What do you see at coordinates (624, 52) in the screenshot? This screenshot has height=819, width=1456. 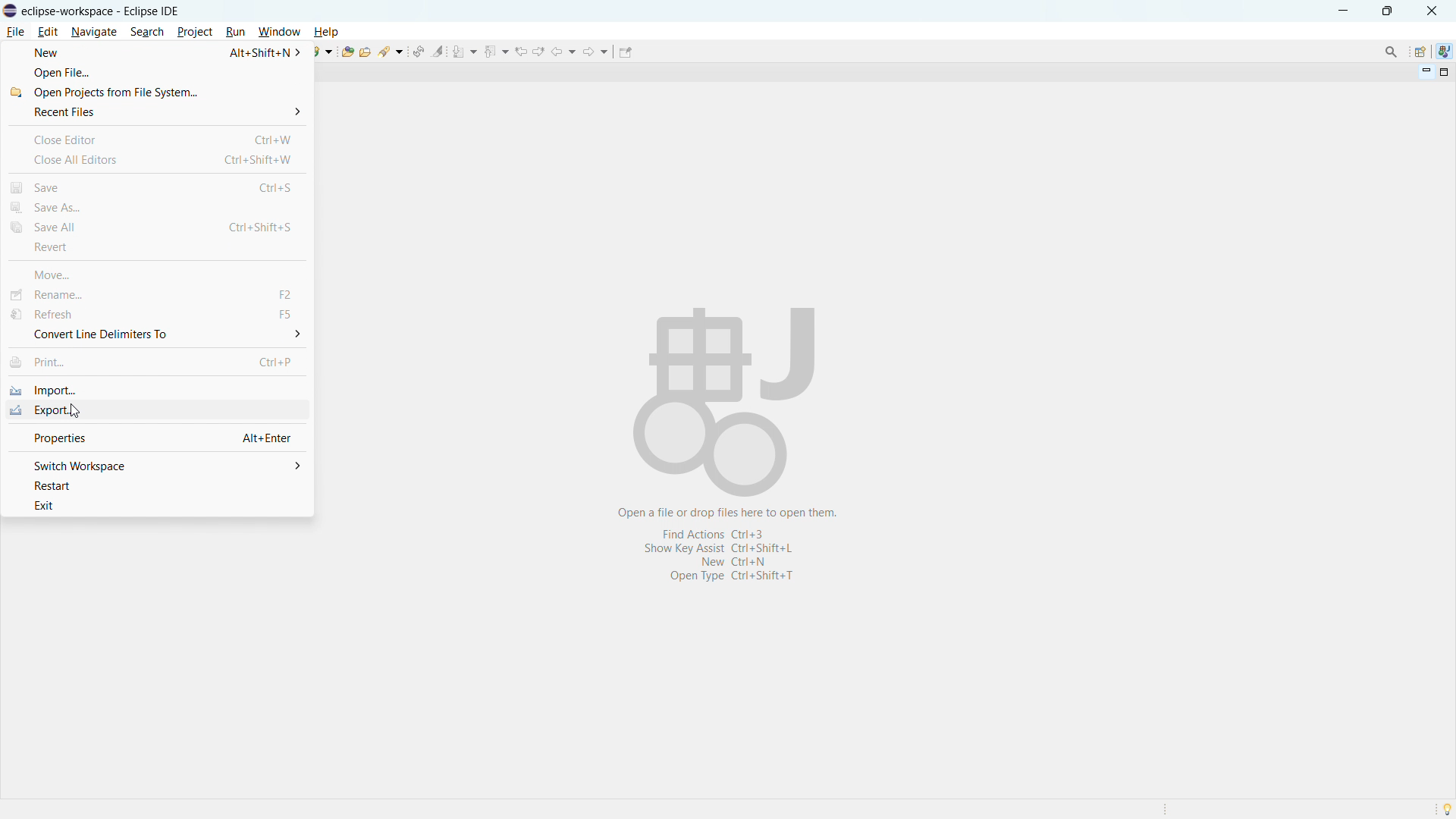 I see `pin editor` at bounding box center [624, 52].